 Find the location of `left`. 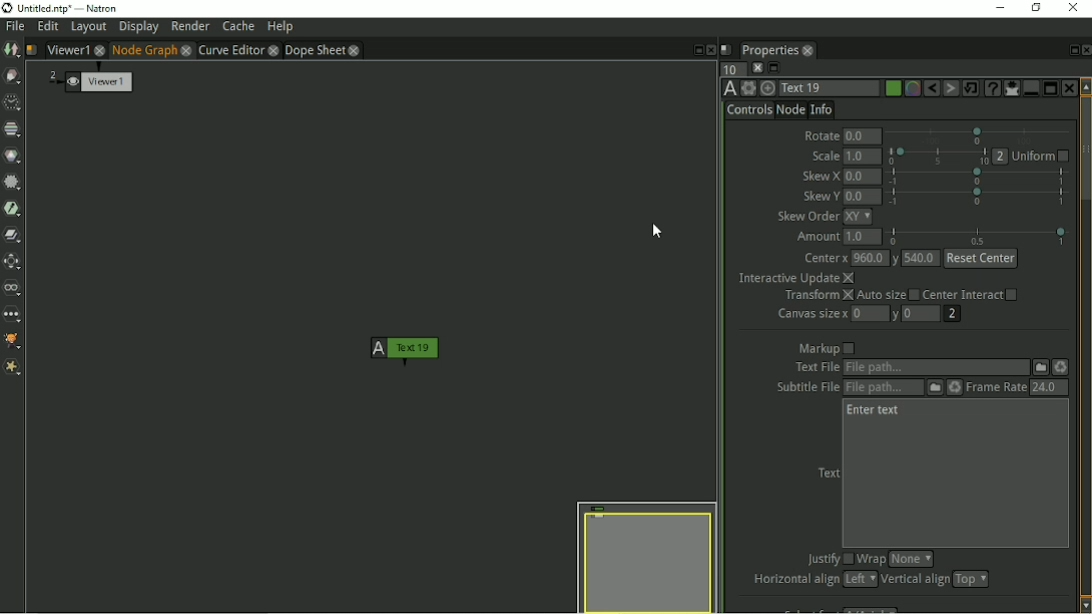

left is located at coordinates (858, 579).